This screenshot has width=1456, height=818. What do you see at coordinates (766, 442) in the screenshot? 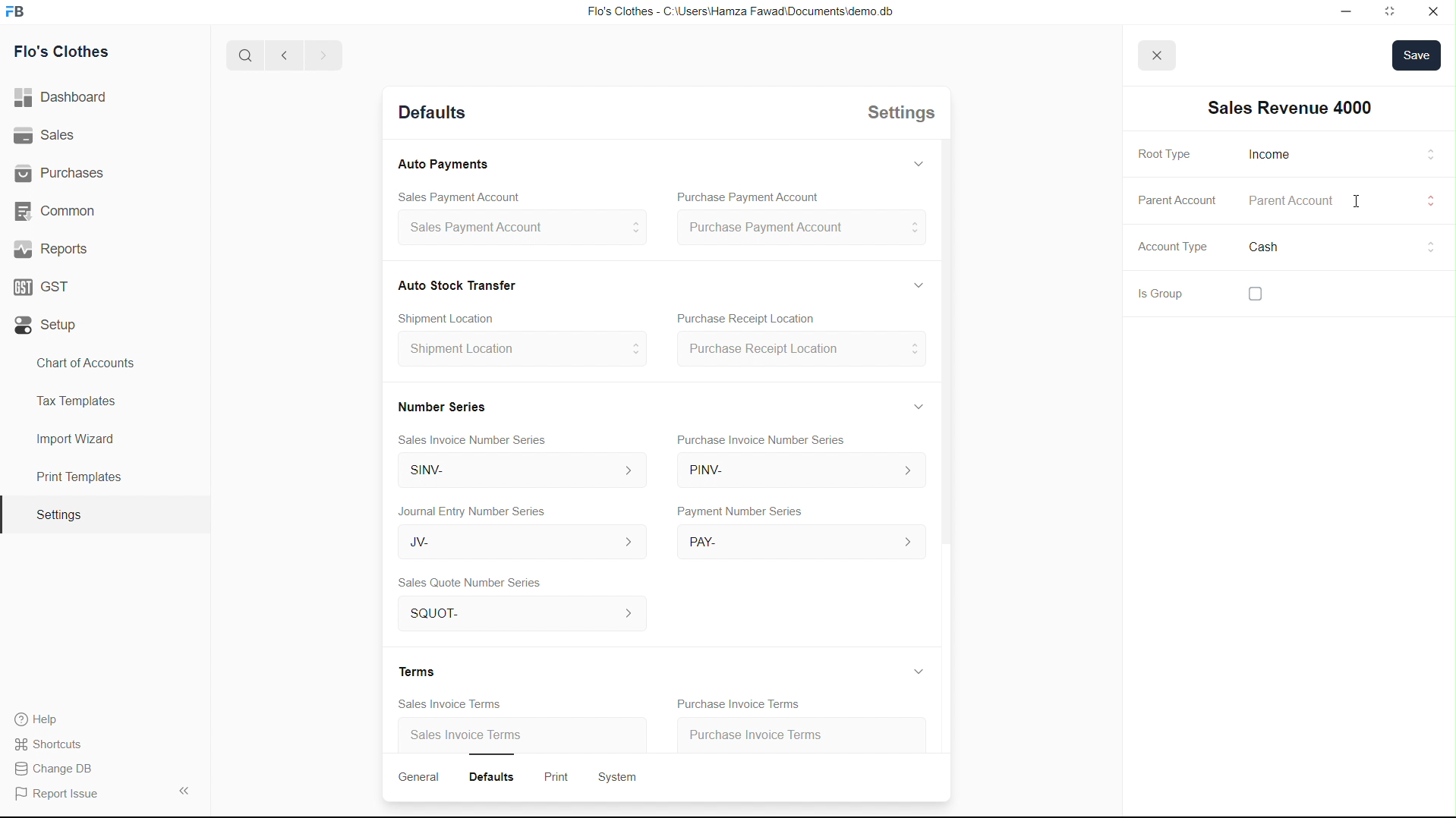
I see `Purchase Invoice Number Series` at bounding box center [766, 442].